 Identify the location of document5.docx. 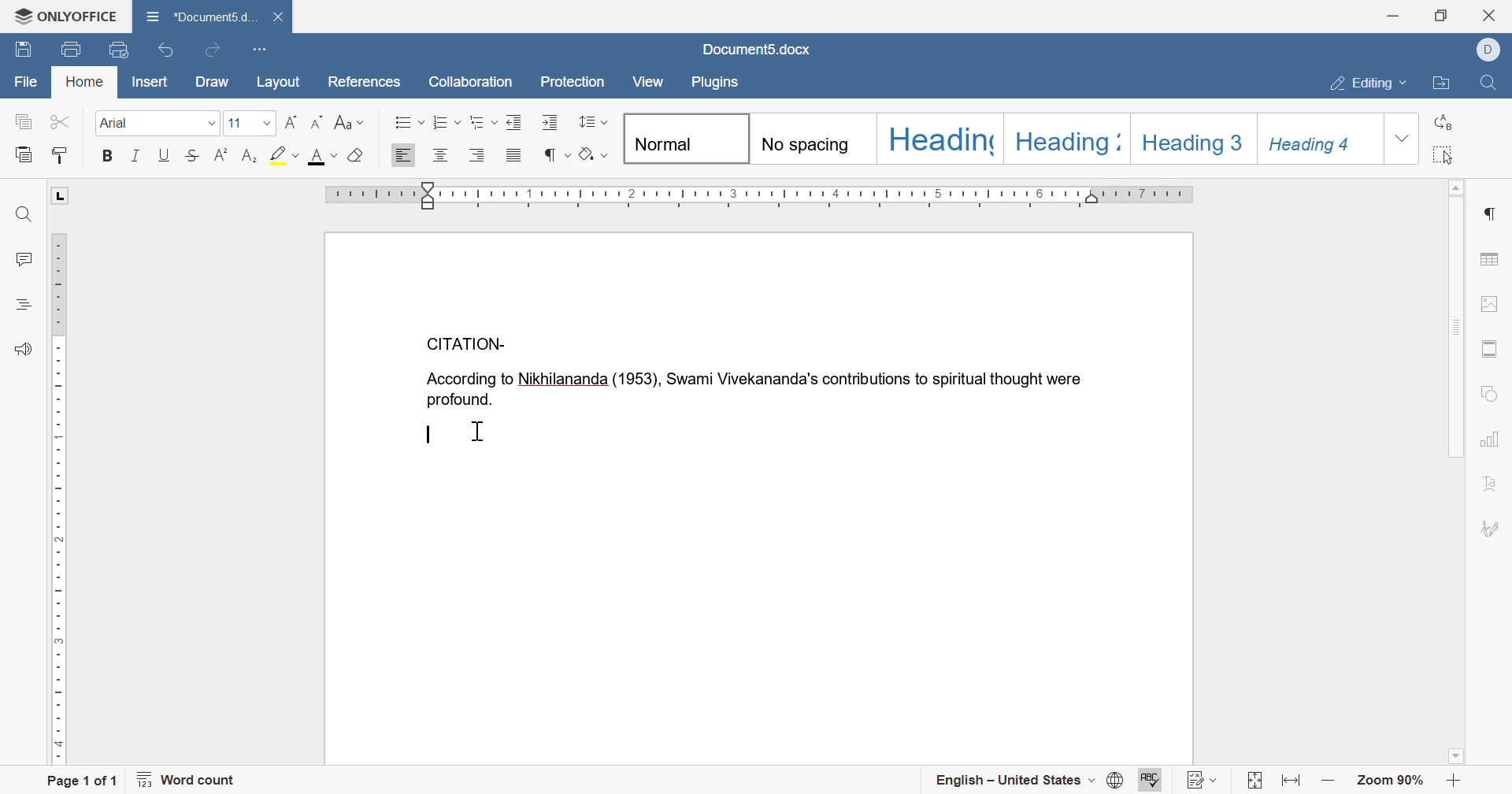
(749, 48).